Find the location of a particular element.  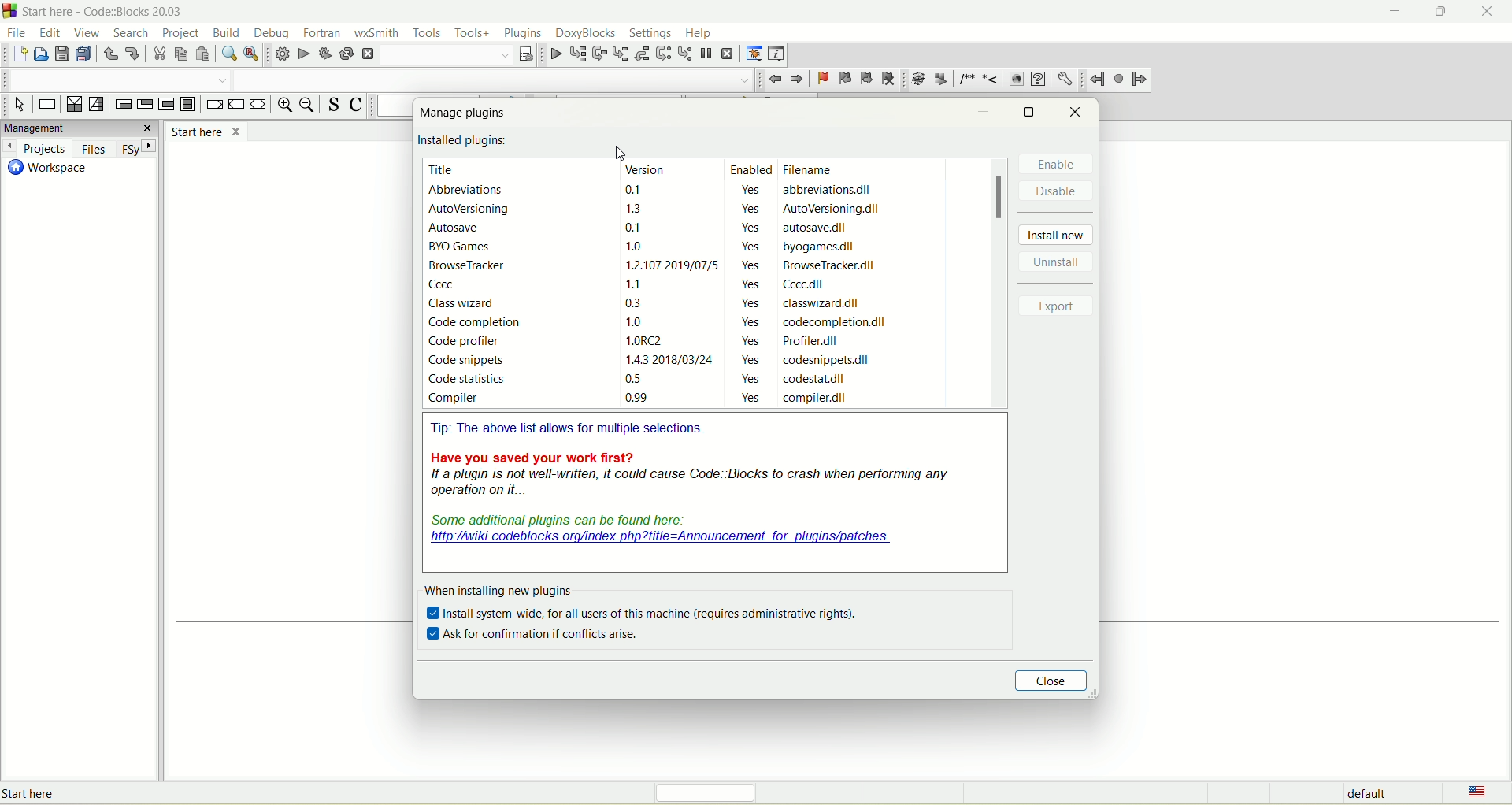

tools is located at coordinates (430, 32).